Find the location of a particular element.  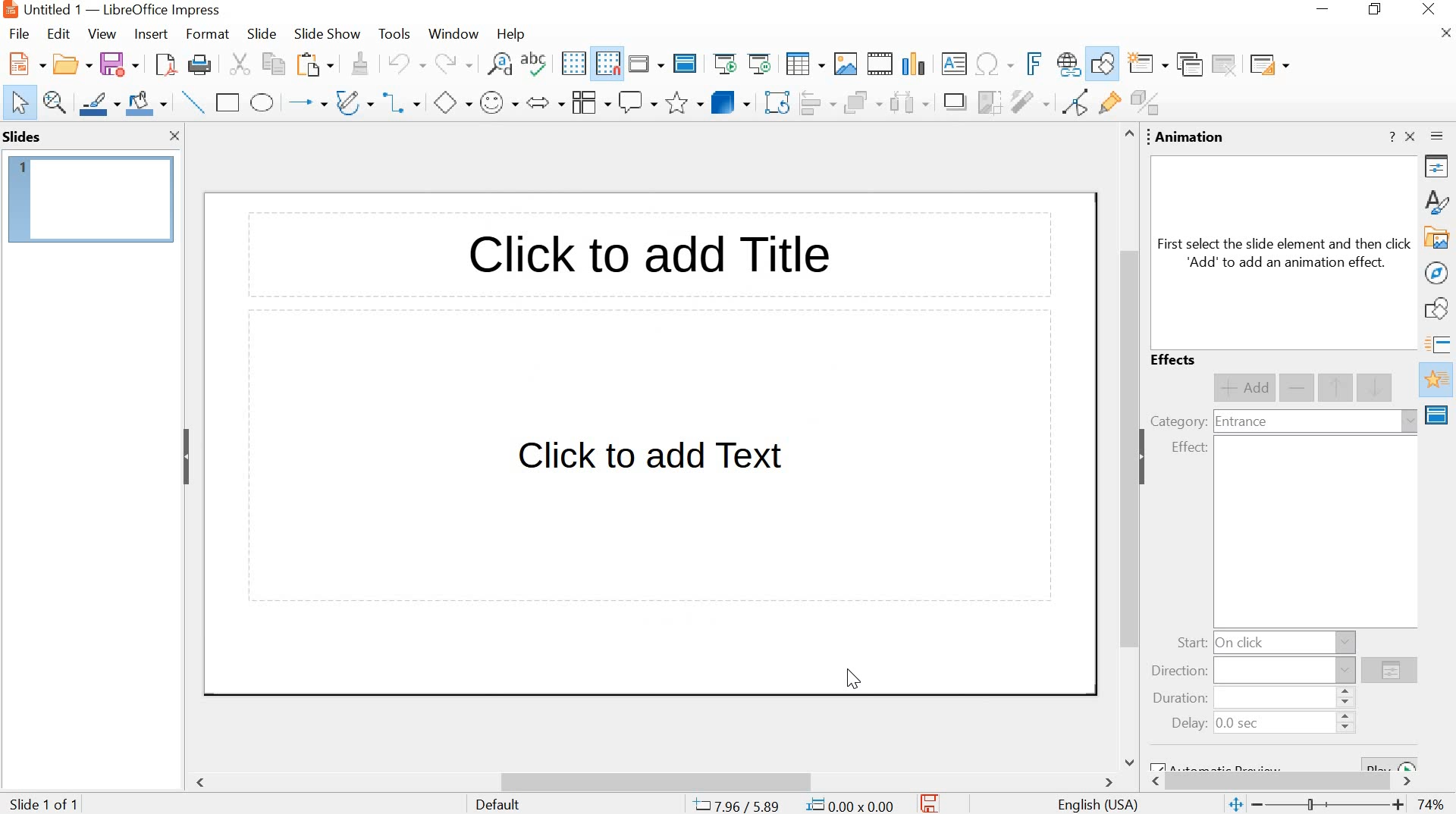

select is located at coordinates (20, 104).